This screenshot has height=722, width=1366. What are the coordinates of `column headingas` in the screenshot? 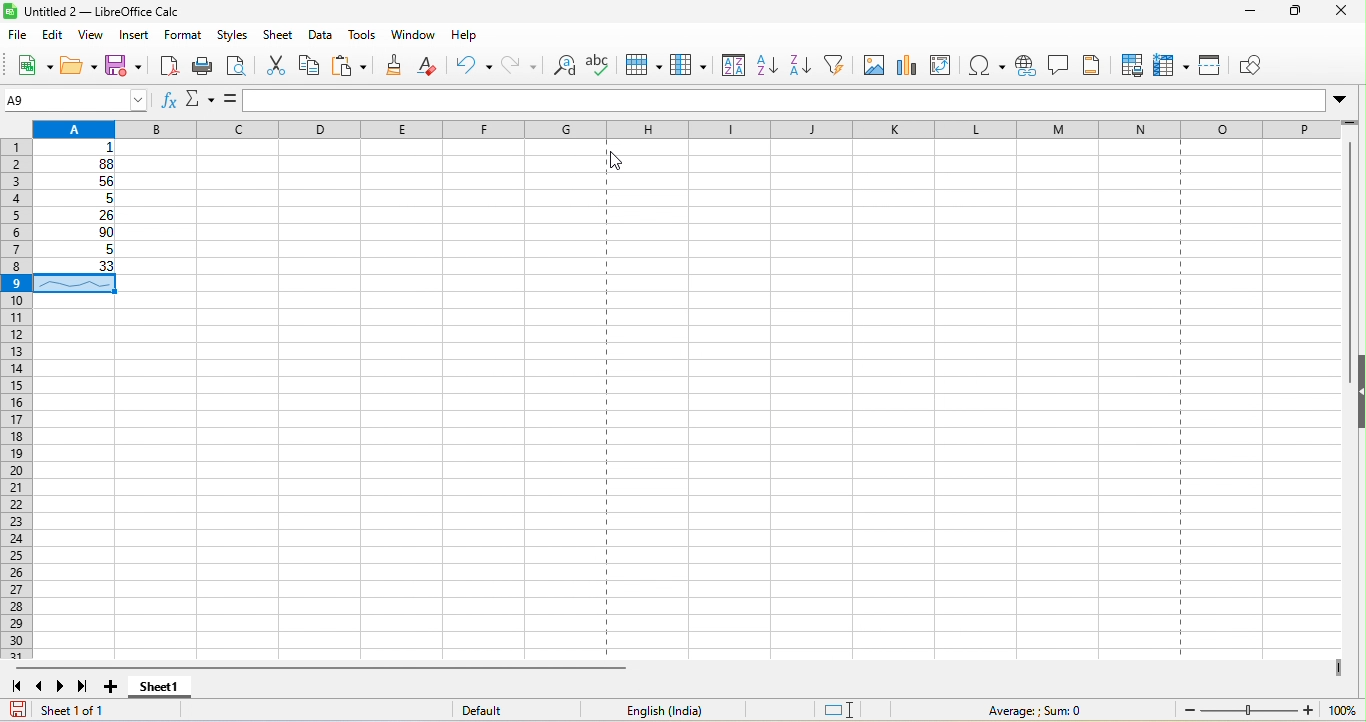 It's located at (693, 128).